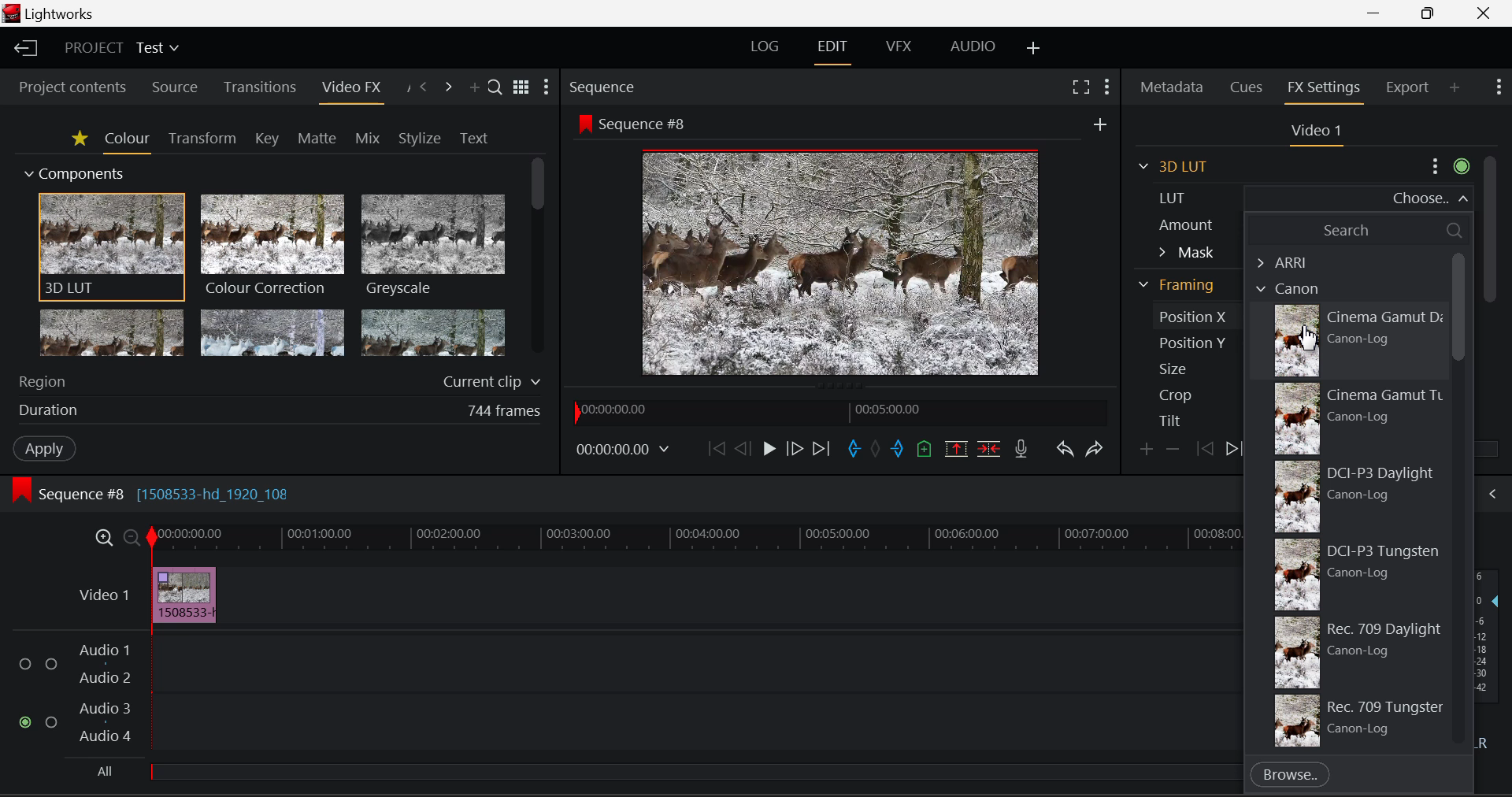  What do you see at coordinates (1320, 135) in the screenshot?
I see `Video Settings` at bounding box center [1320, 135].